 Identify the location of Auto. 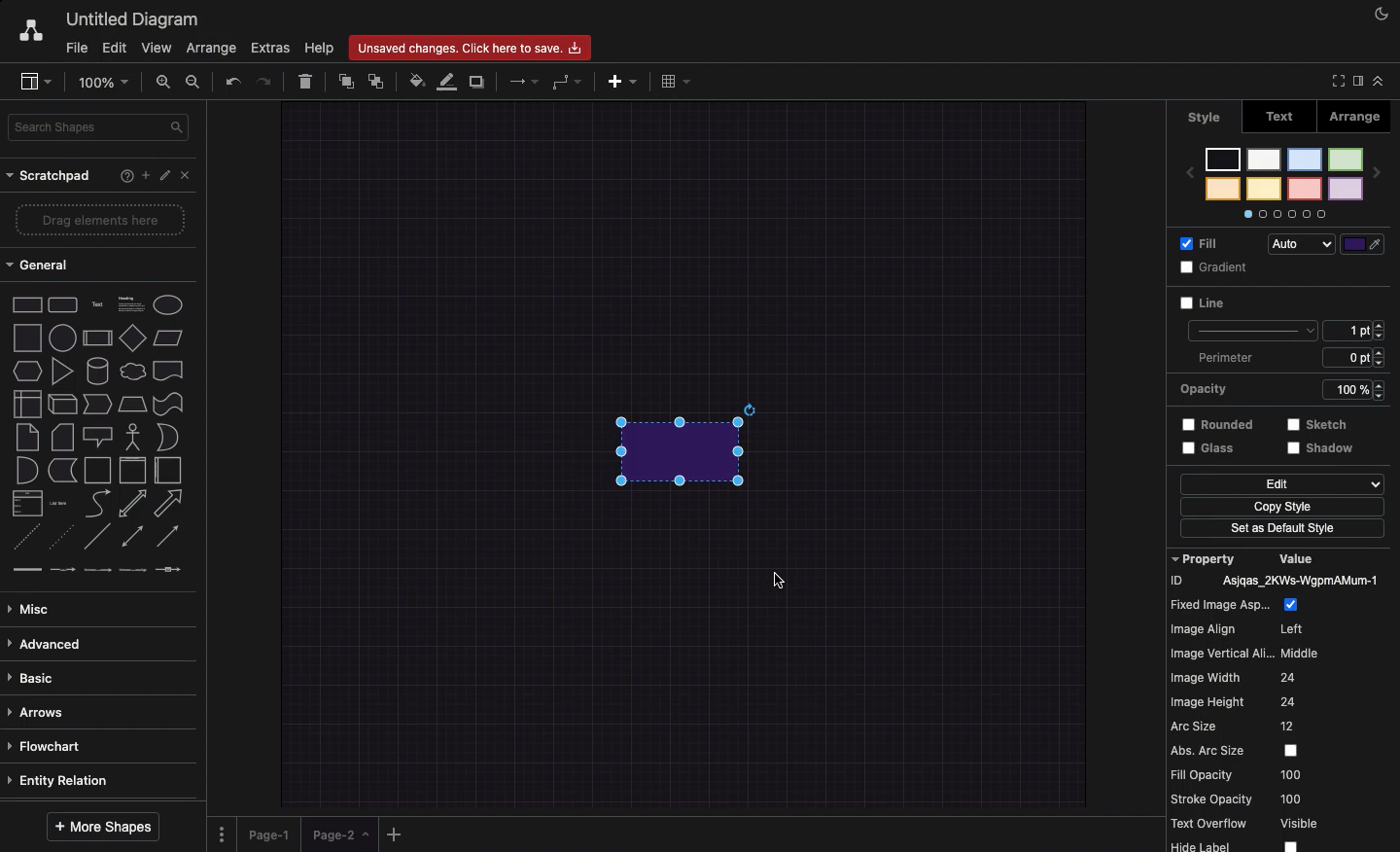
(1306, 245).